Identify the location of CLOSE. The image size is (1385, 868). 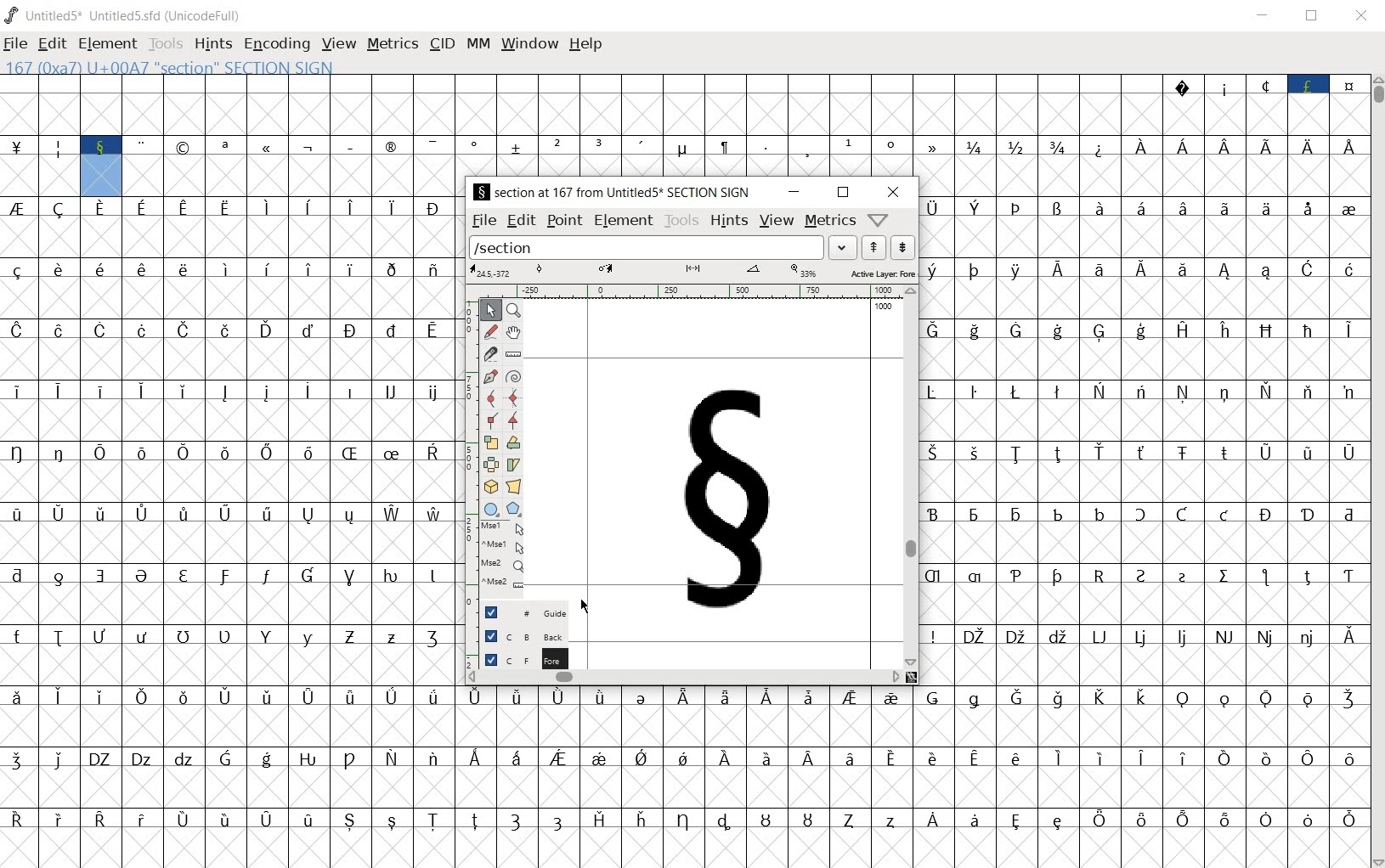
(1361, 18).